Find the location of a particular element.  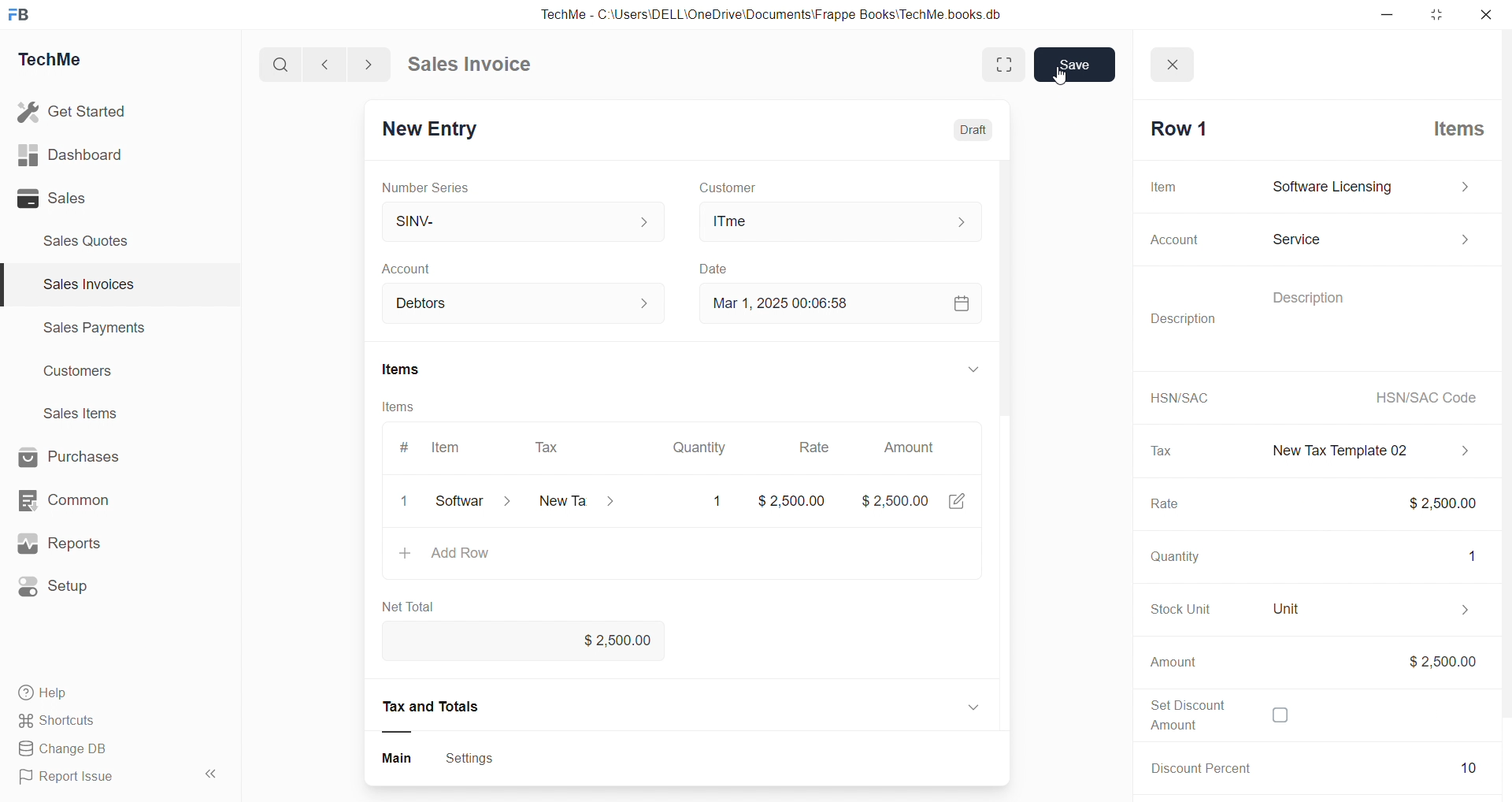

Rate is located at coordinates (810, 444).